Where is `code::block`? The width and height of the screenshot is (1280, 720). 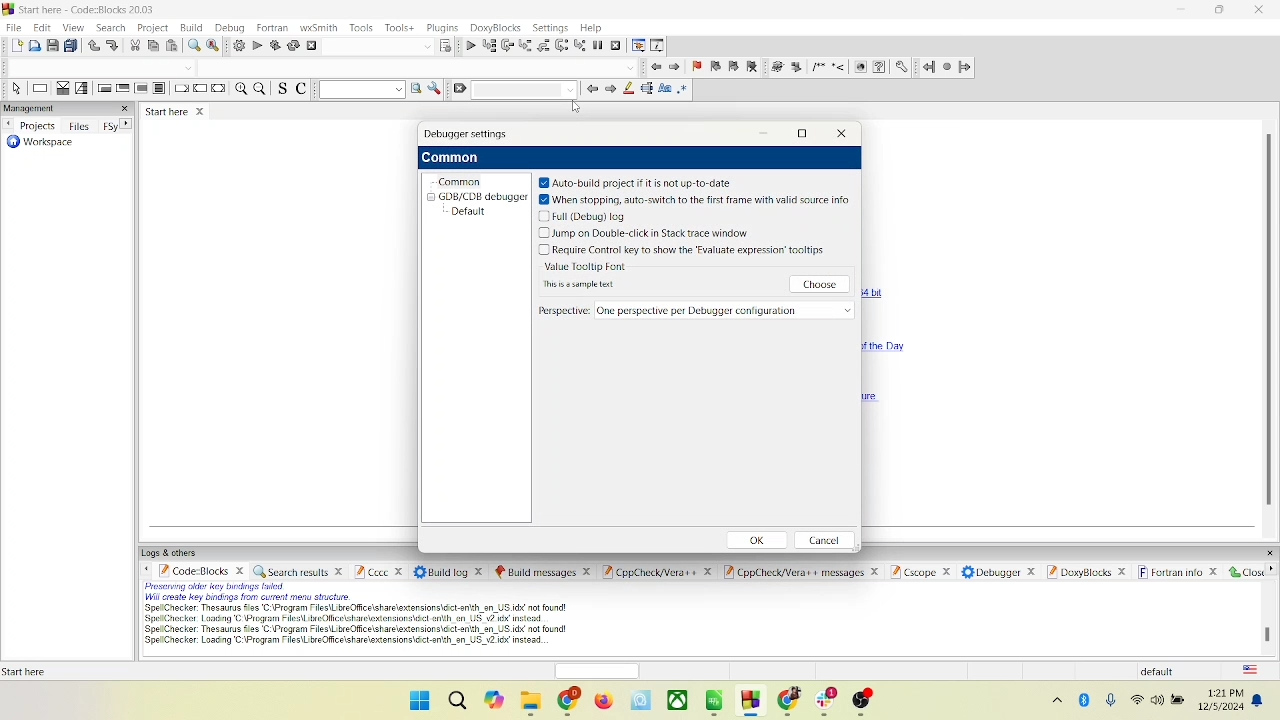 code::block is located at coordinates (90, 11).